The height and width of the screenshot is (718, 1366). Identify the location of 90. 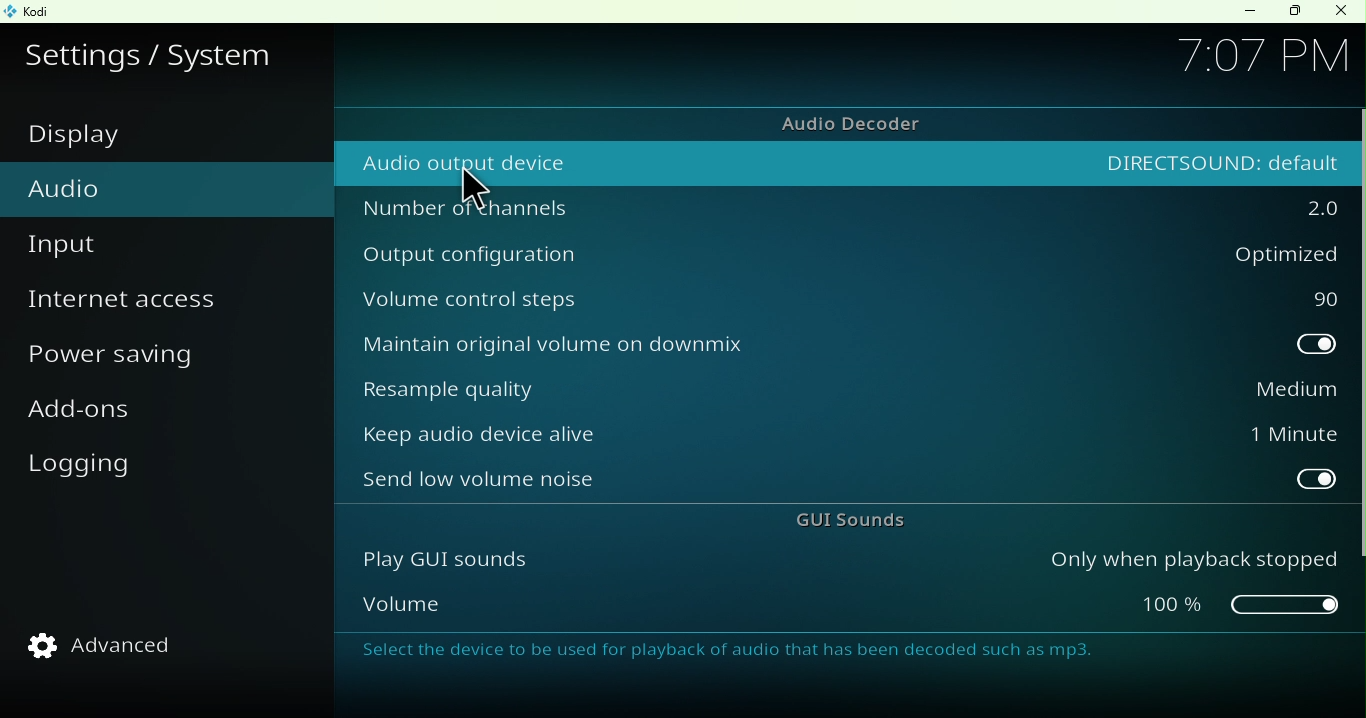
(1221, 297).